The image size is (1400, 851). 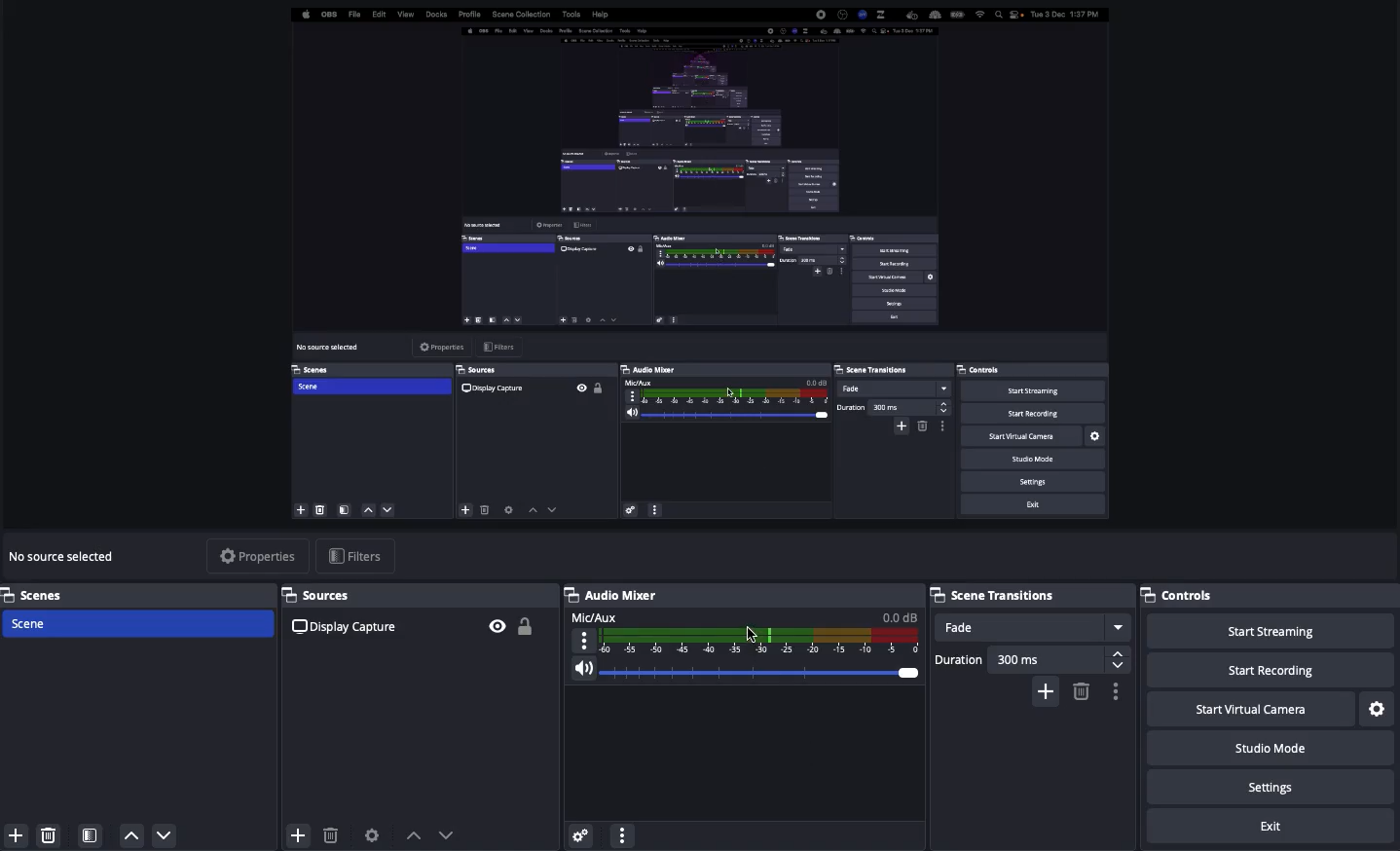 What do you see at coordinates (257, 555) in the screenshot?
I see `Properties` at bounding box center [257, 555].